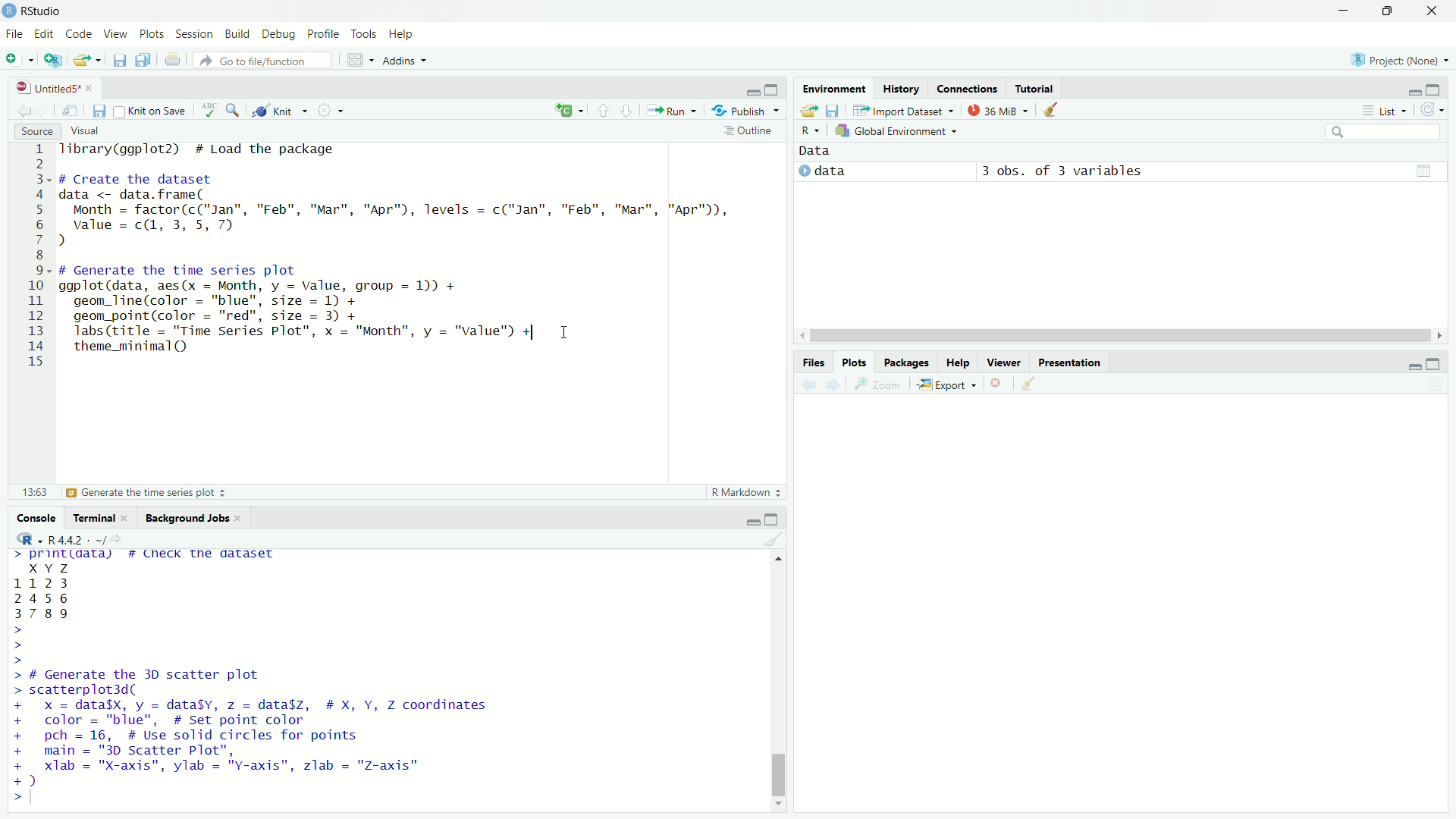  I want to click on R Markdown, so click(746, 494).